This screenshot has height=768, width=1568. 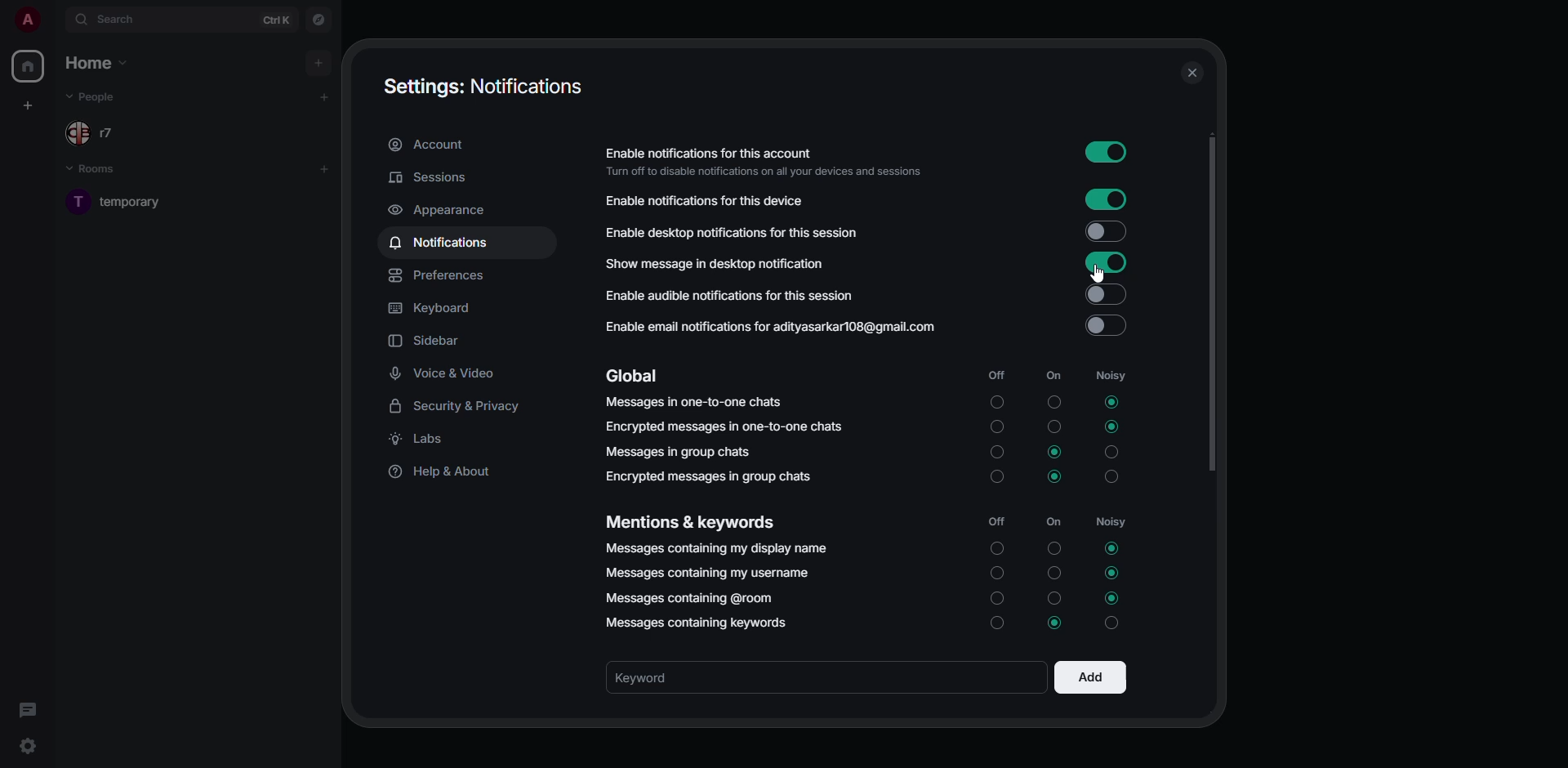 What do you see at coordinates (1049, 547) in the screenshot?
I see `turn off` at bounding box center [1049, 547].